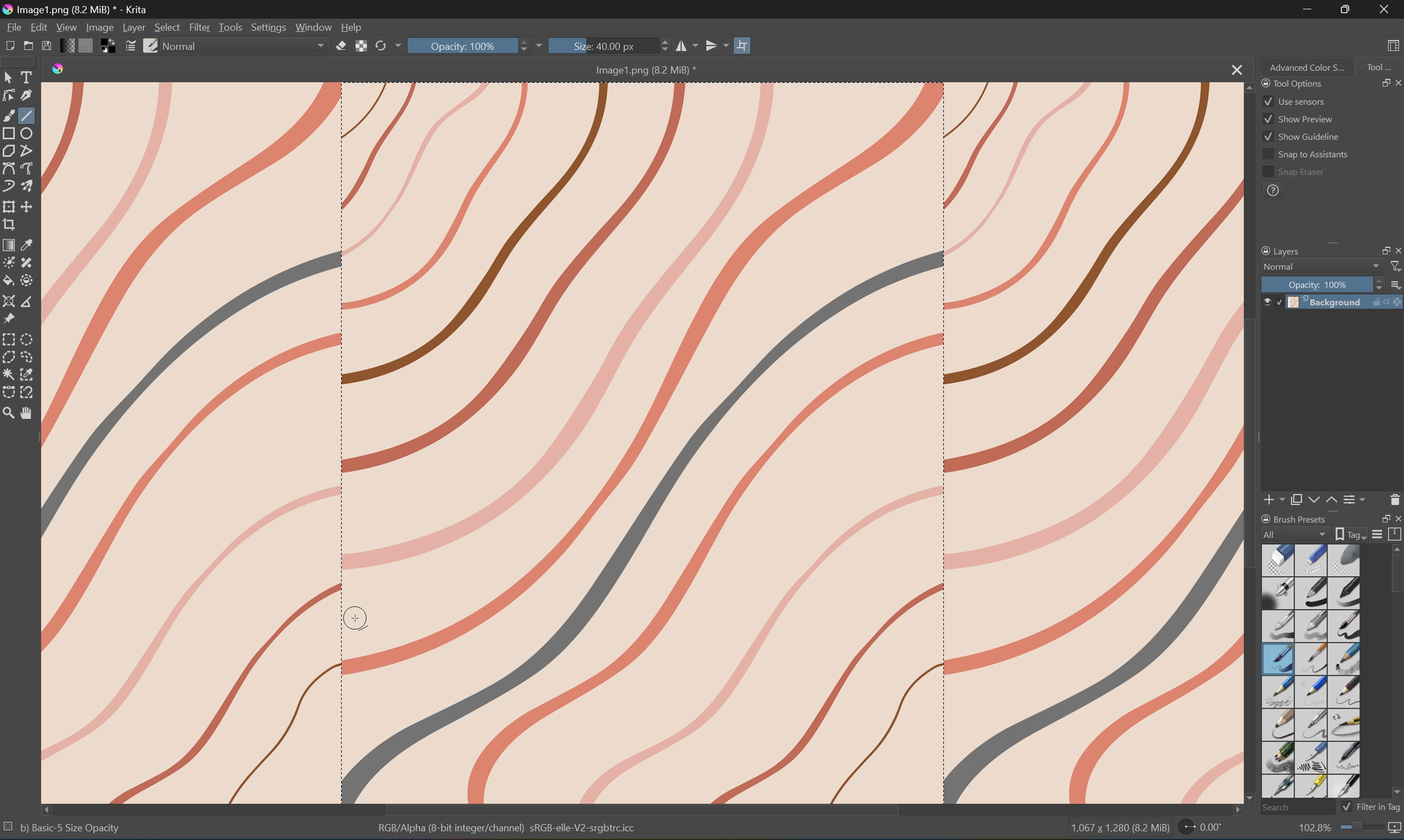 The height and width of the screenshot is (840, 1404). What do you see at coordinates (28, 76) in the screenshot?
I see `Select Tools` at bounding box center [28, 76].